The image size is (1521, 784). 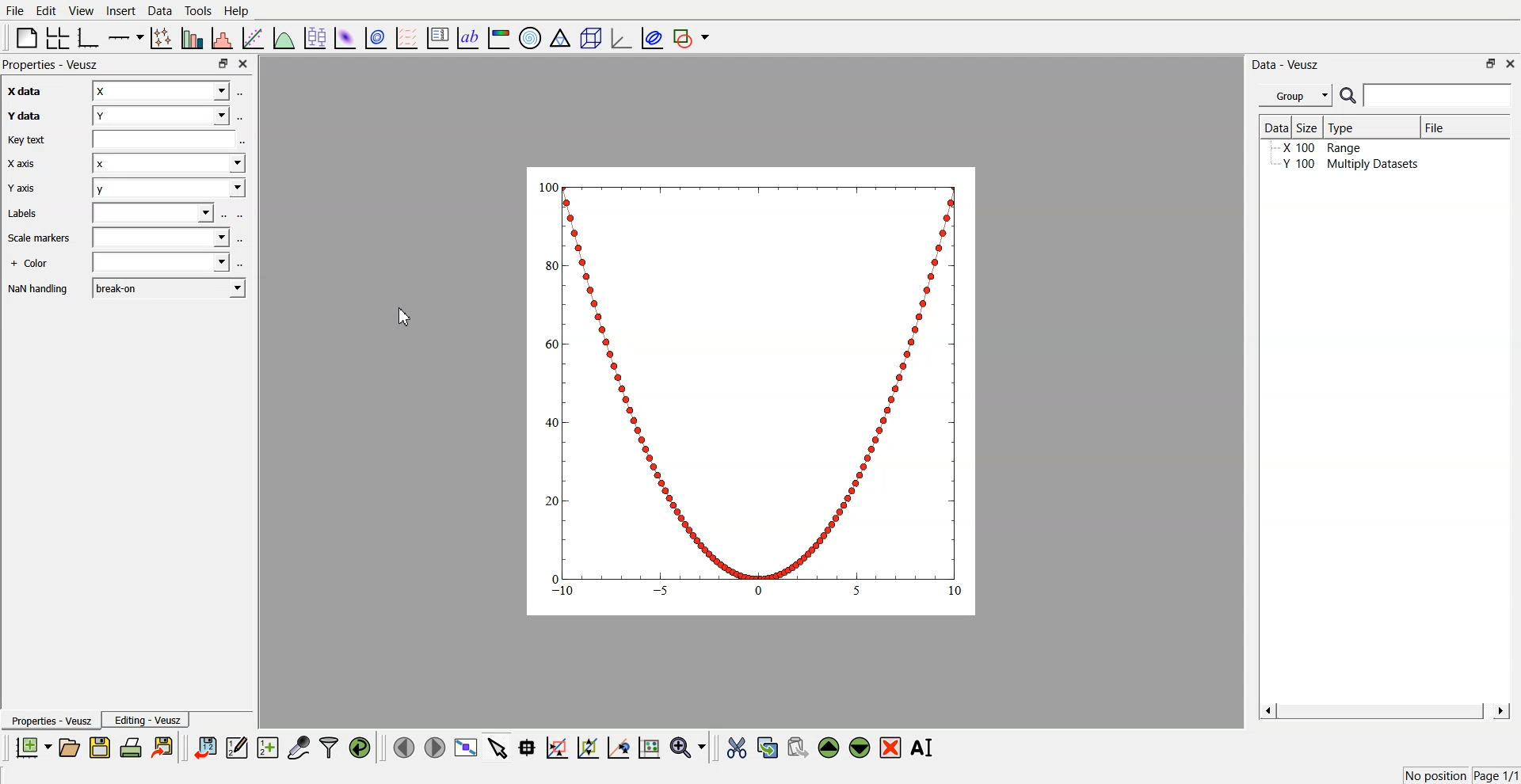 I want to click on Key text field, so click(x=164, y=139).